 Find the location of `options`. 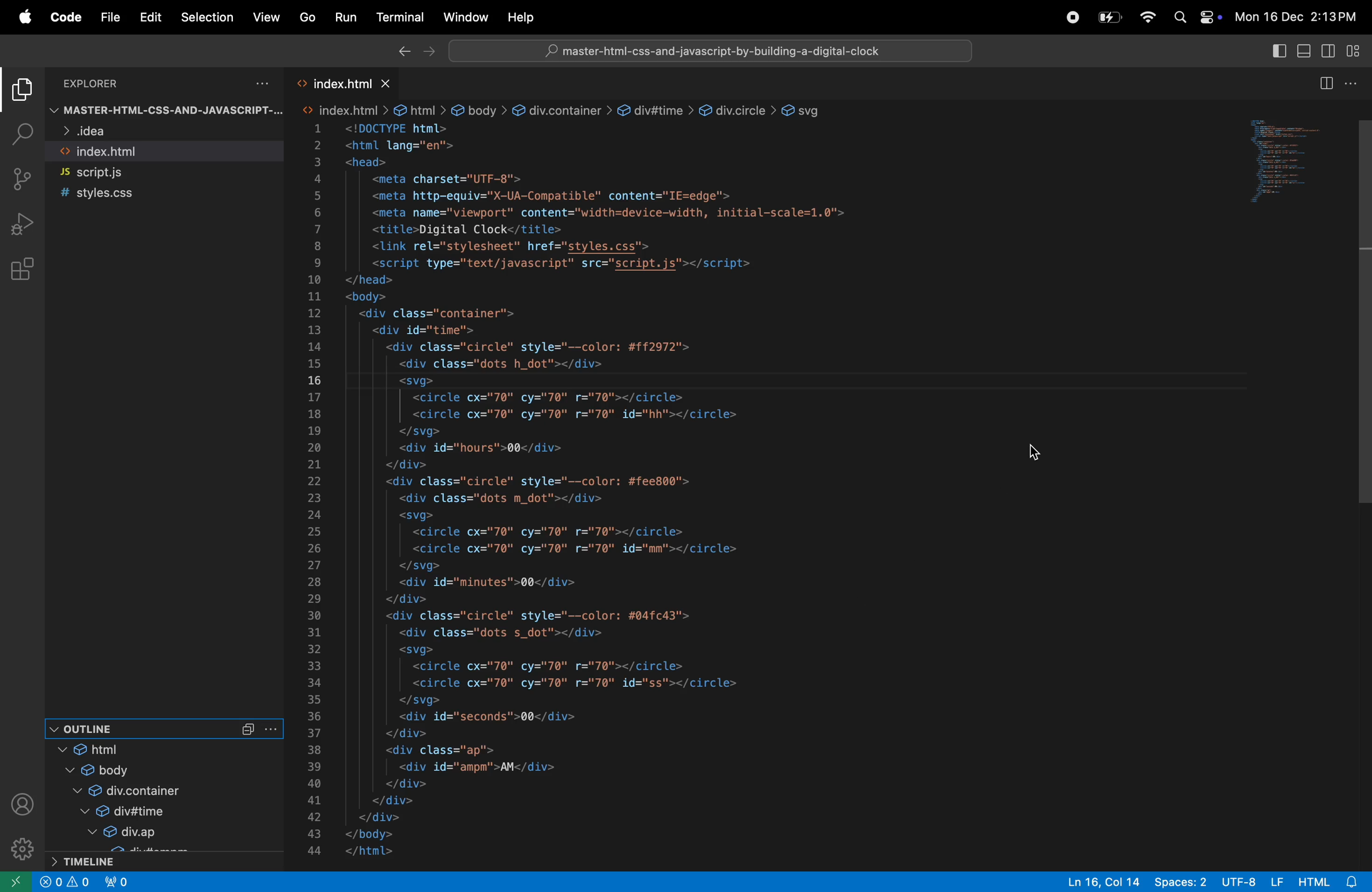

options is located at coordinates (258, 84).